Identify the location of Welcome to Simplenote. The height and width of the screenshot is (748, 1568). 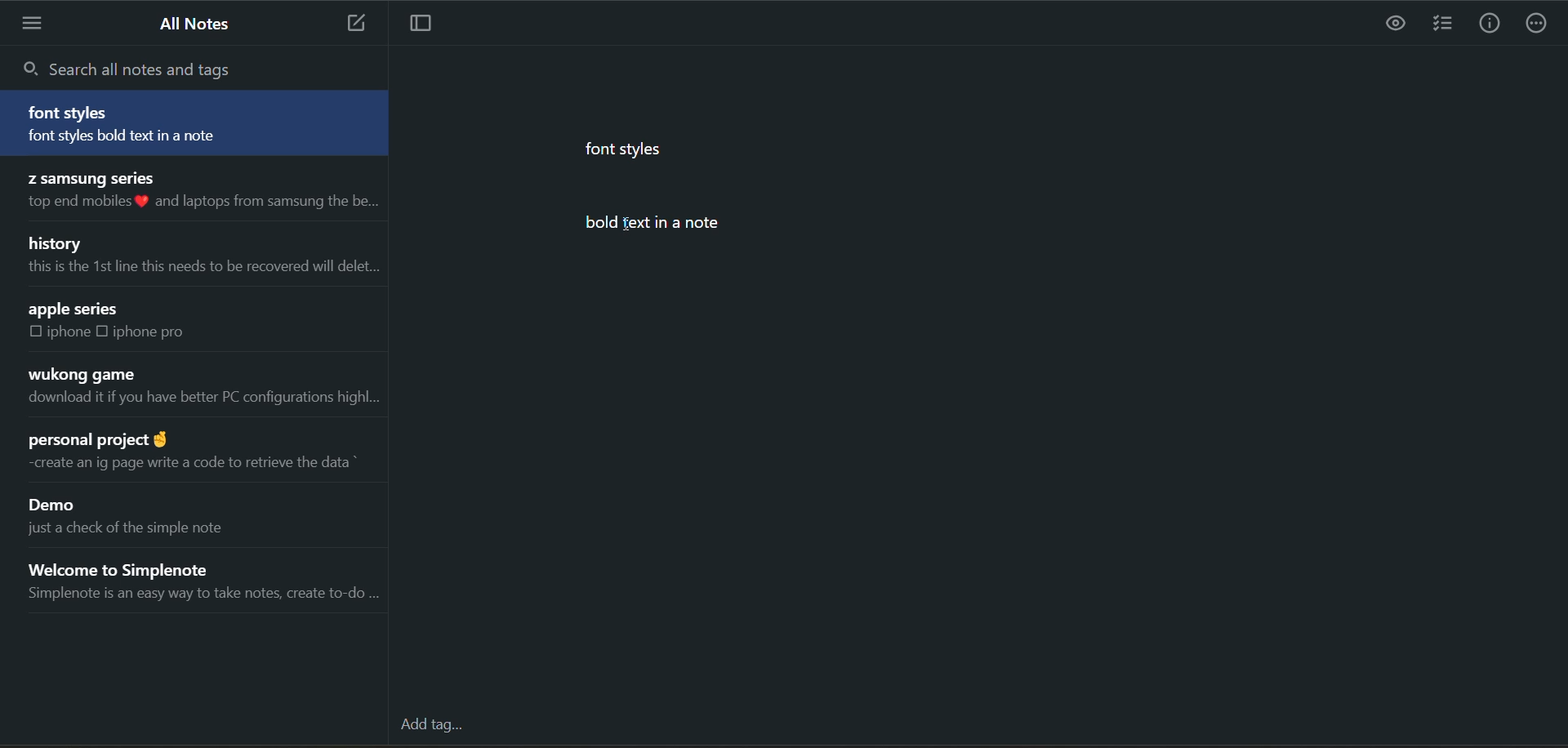
(143, 566).